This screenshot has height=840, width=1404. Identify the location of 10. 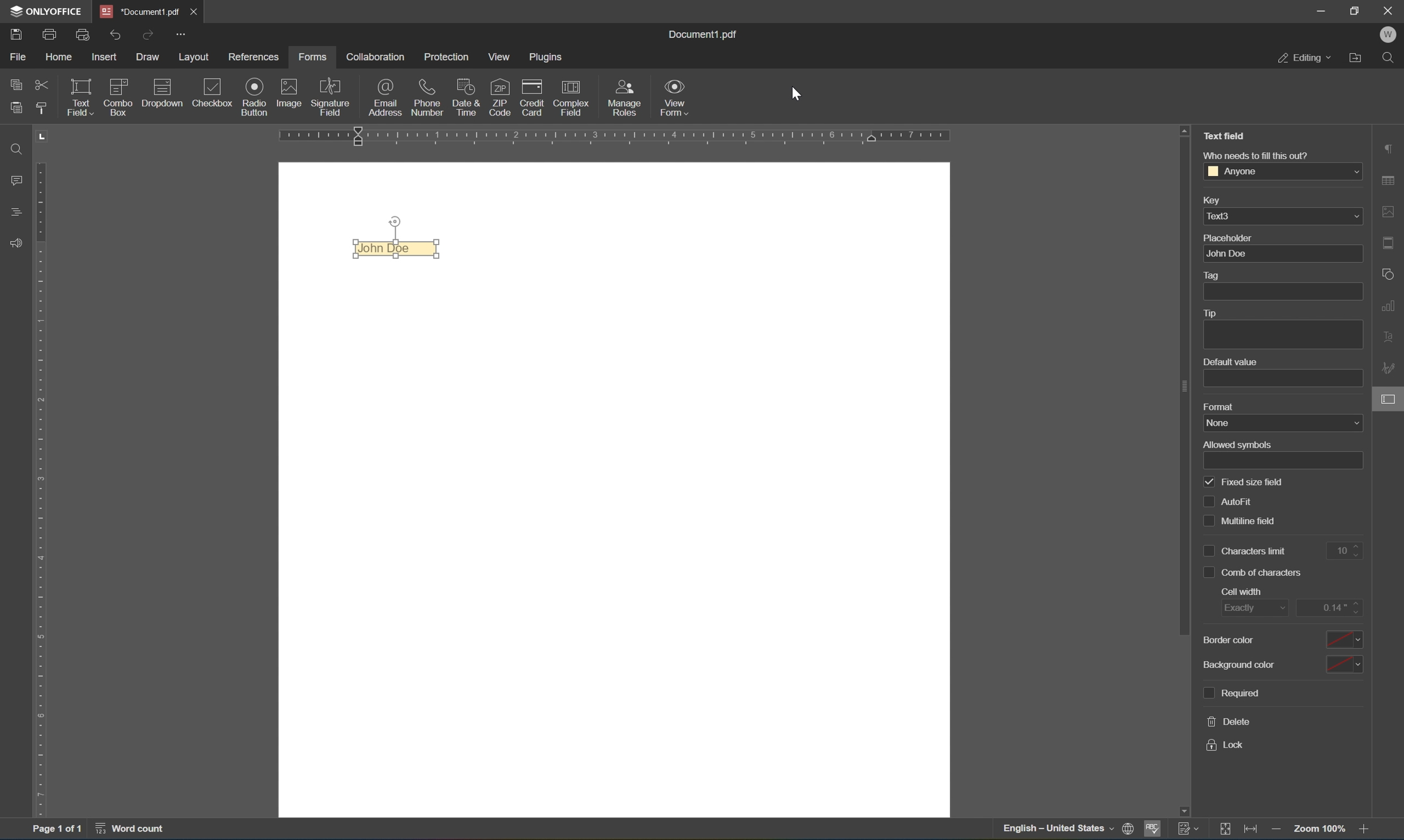
(1343, 550).